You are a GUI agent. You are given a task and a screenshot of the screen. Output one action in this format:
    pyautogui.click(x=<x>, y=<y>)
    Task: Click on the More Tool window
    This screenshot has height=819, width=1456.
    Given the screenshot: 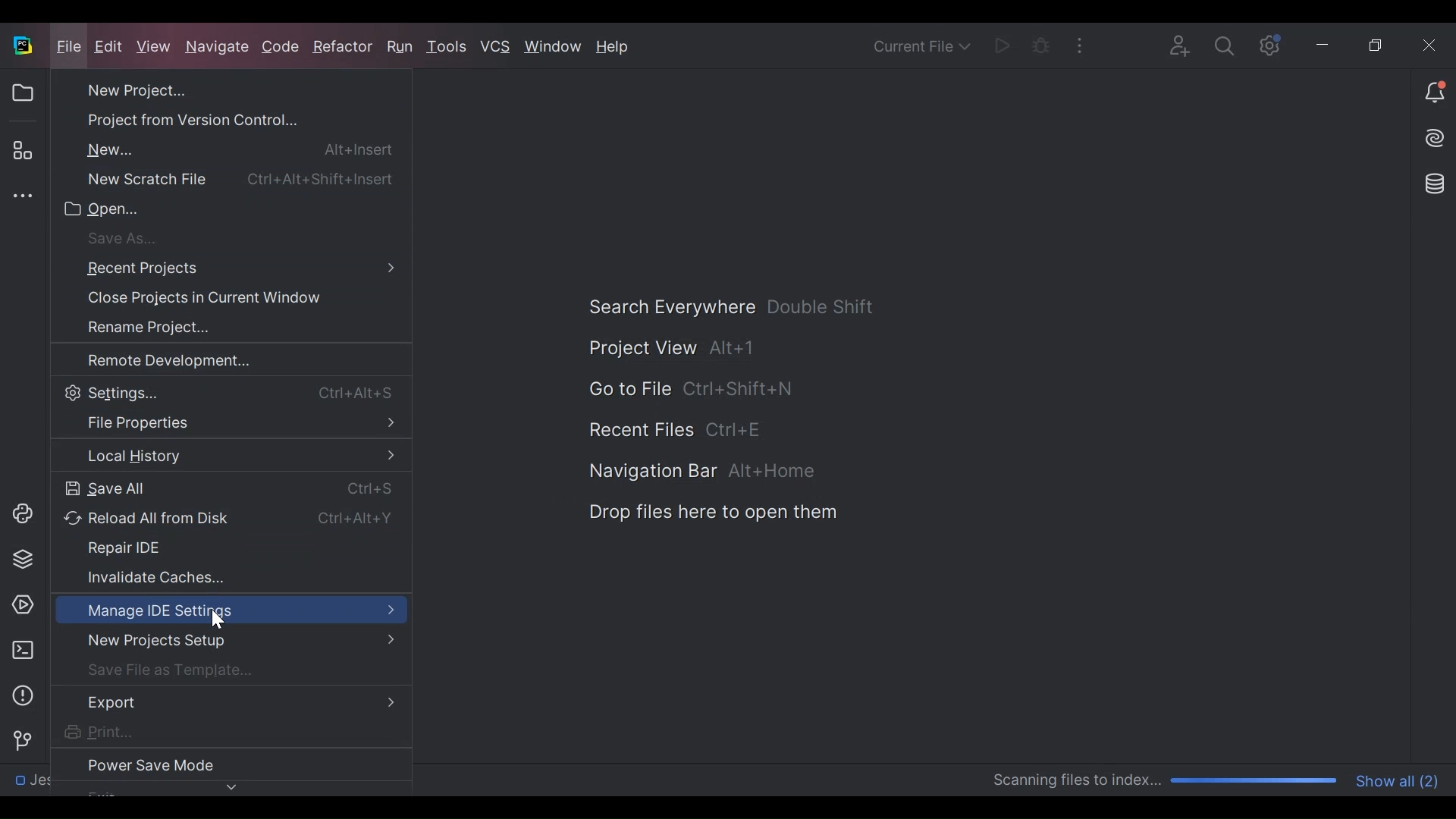 What is the action you would take?
    pyautogui.click(x=19, y=196)
    